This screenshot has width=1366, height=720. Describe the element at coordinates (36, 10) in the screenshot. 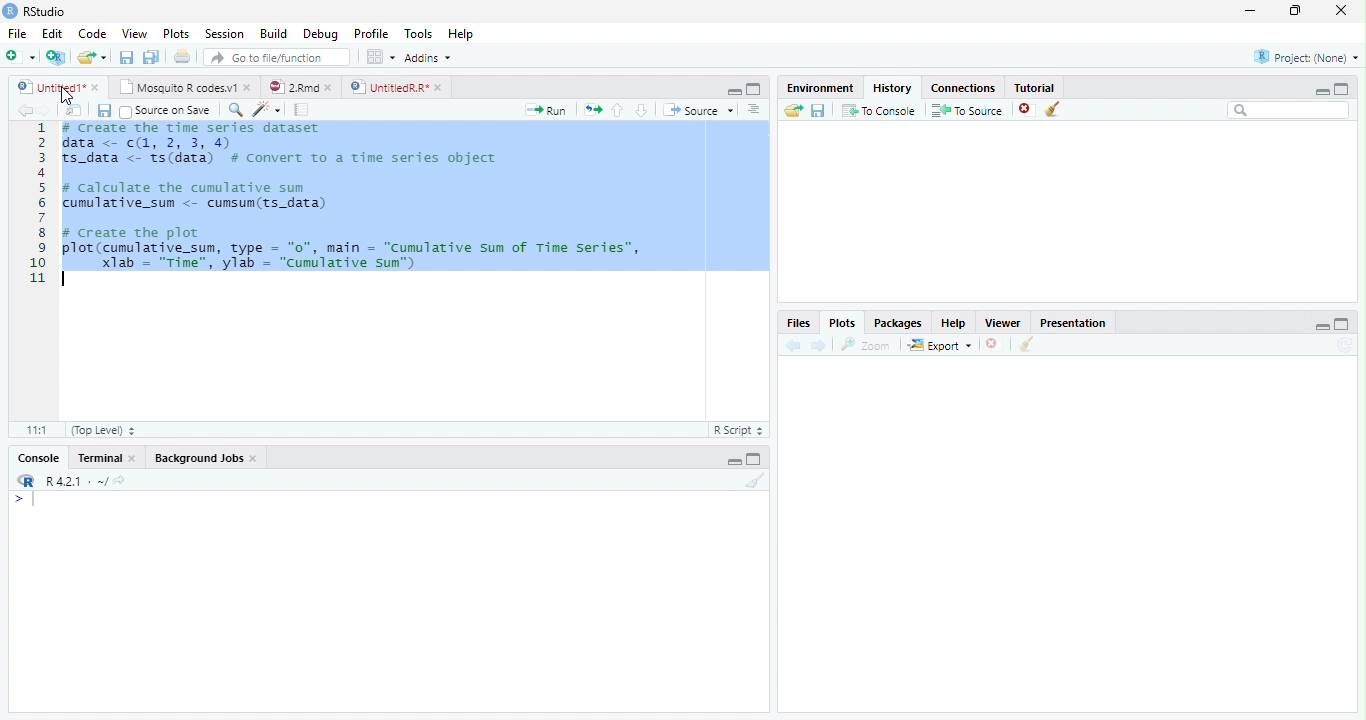

I see `Rstudio` at that location.